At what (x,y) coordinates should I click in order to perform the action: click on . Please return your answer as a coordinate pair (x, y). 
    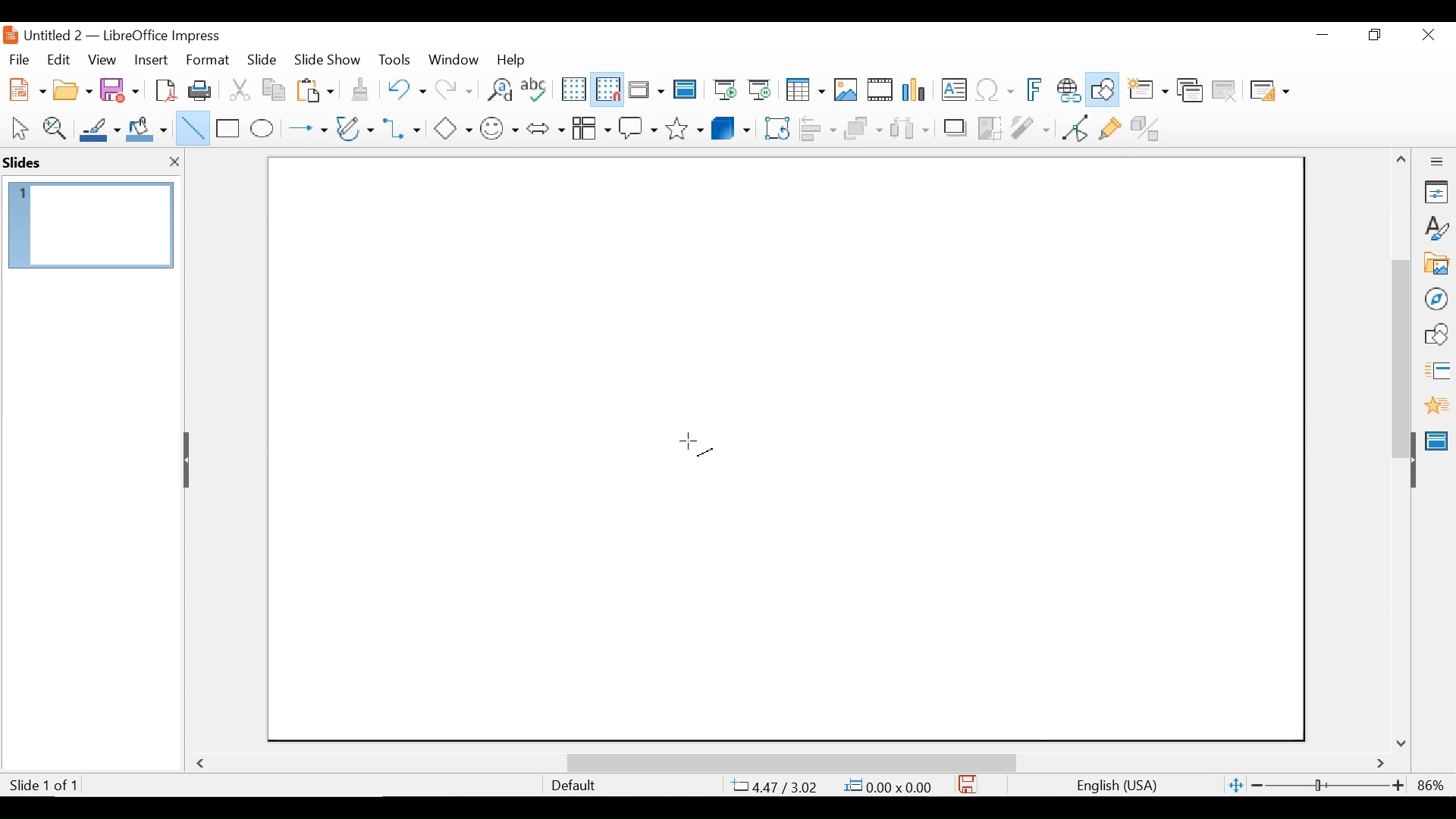
    Looking at the image, I should click on (356, 127).